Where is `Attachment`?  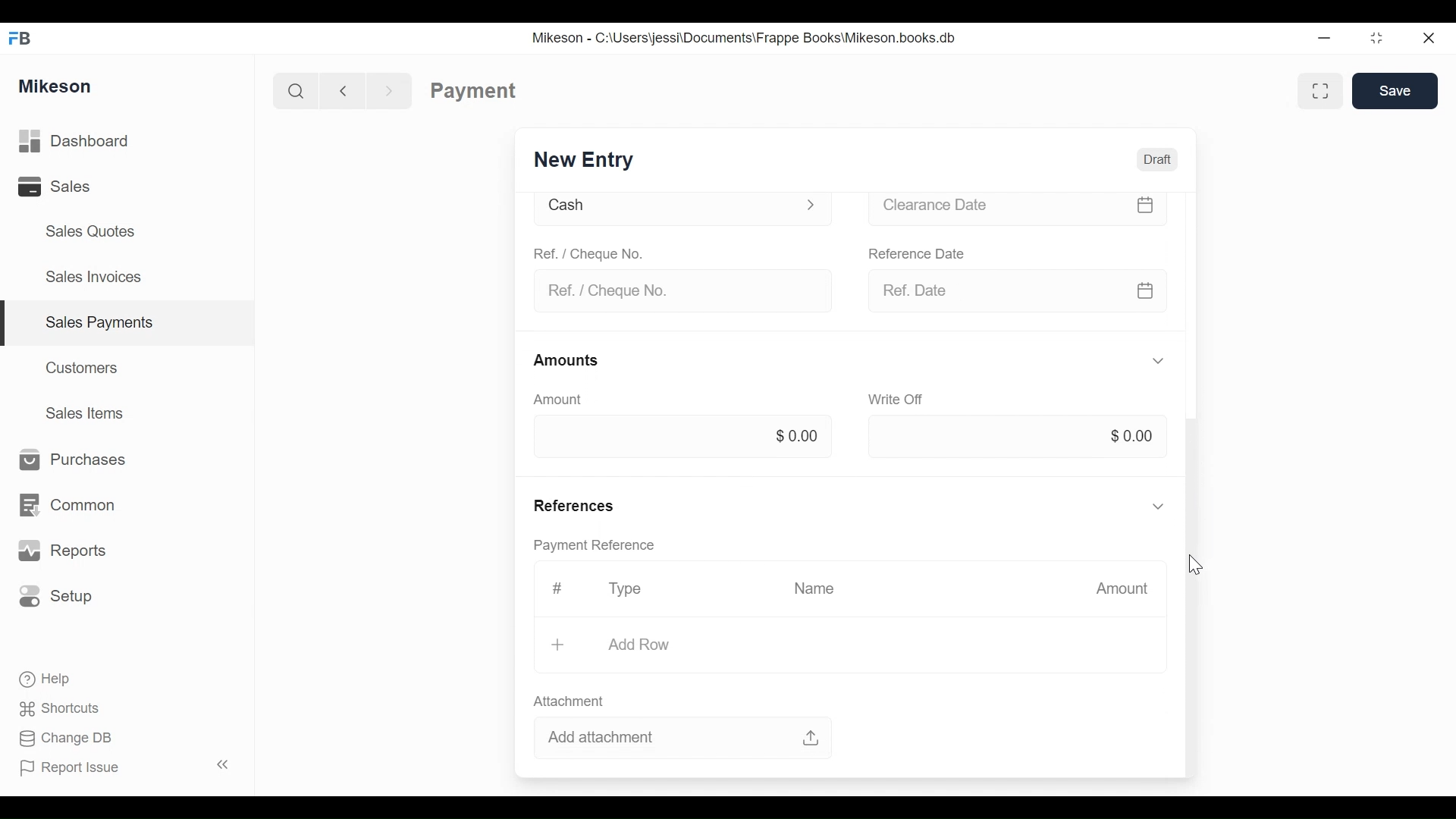 Attachment is located at coordinates (569, 702).